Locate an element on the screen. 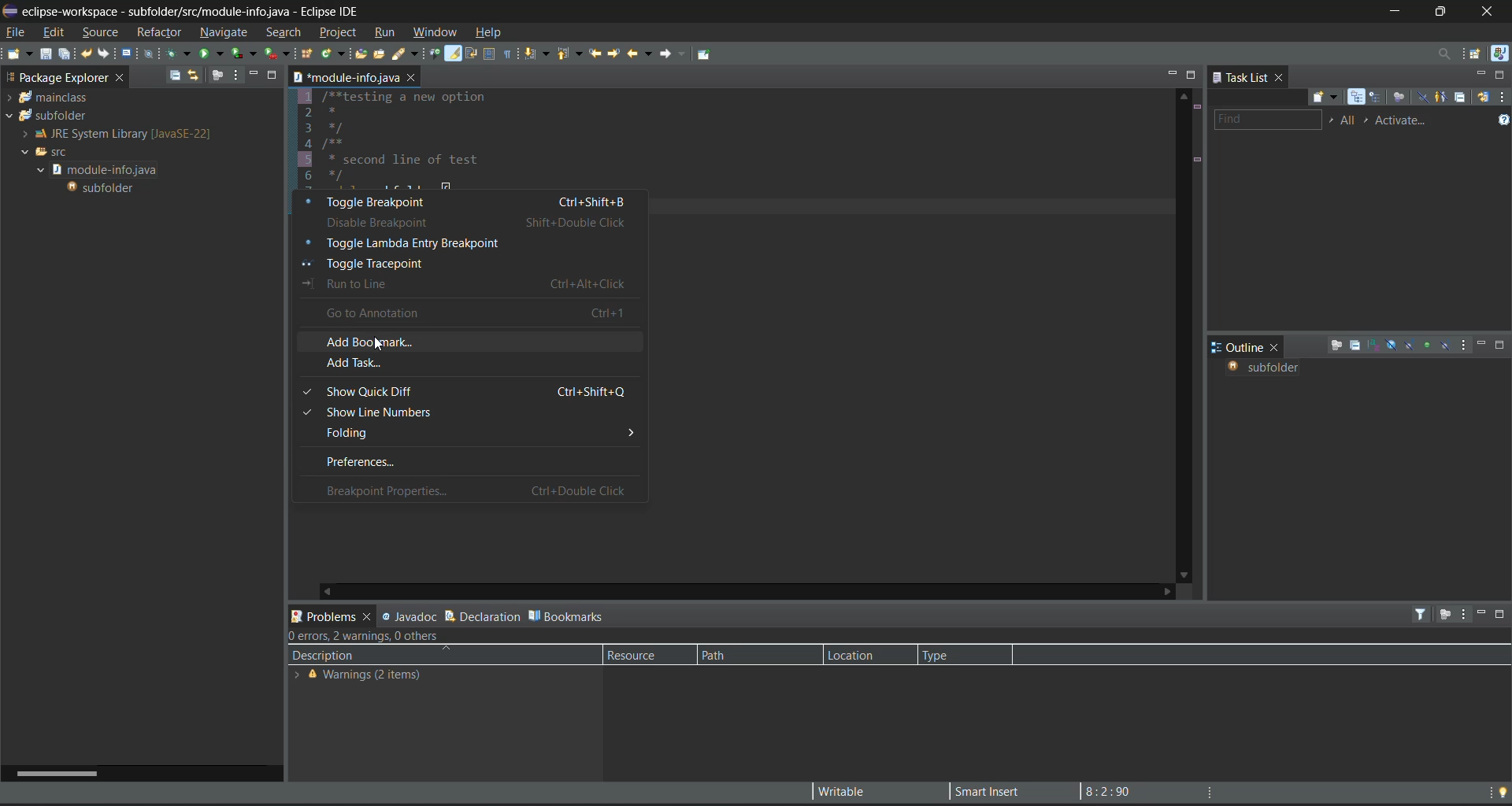 This screenshot has width=1512, height=806. breakpoint properties is located at coordinates (461, 490).